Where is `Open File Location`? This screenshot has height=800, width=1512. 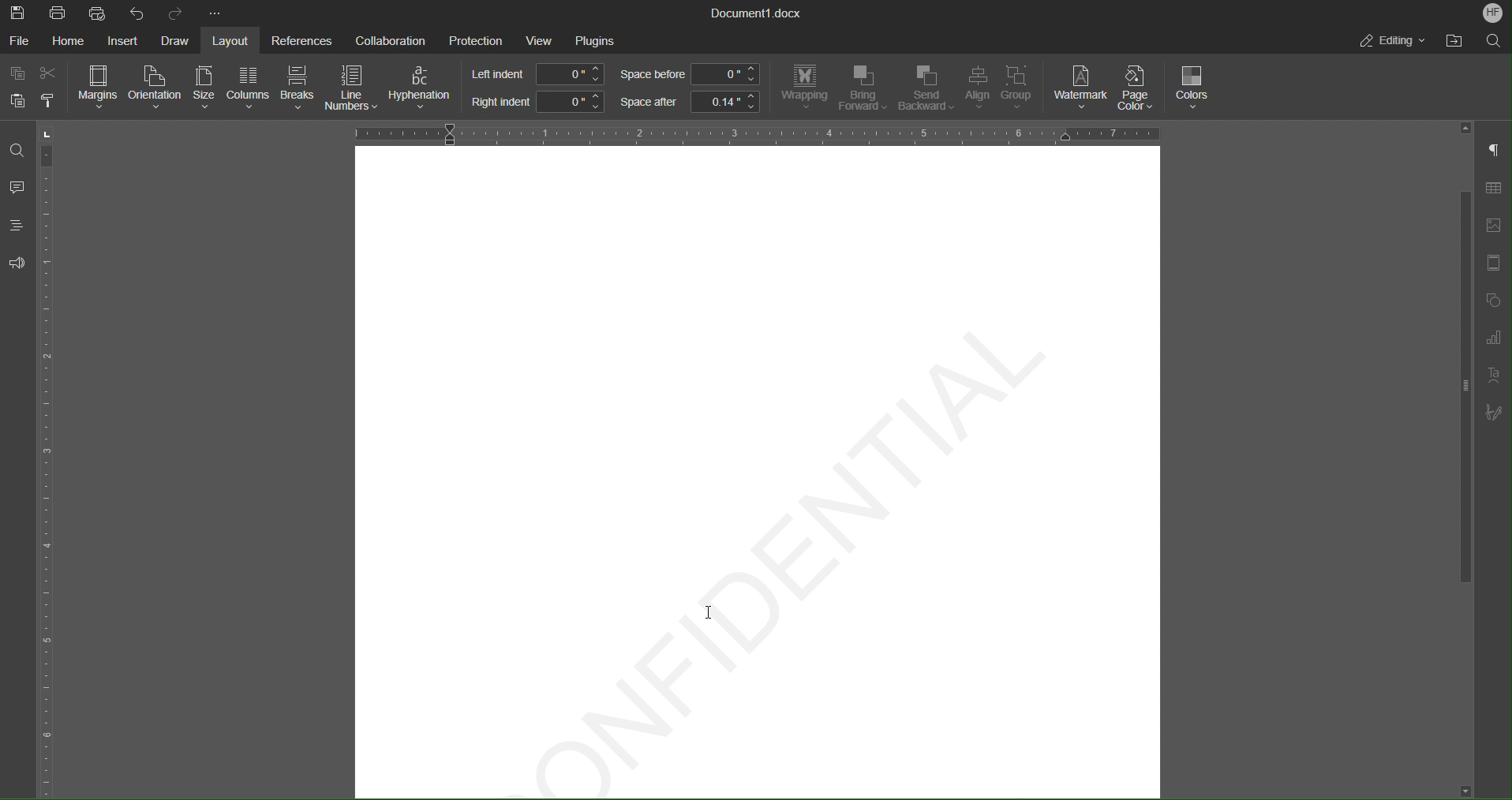 Open File Location is located at coordinates (1450, 41).